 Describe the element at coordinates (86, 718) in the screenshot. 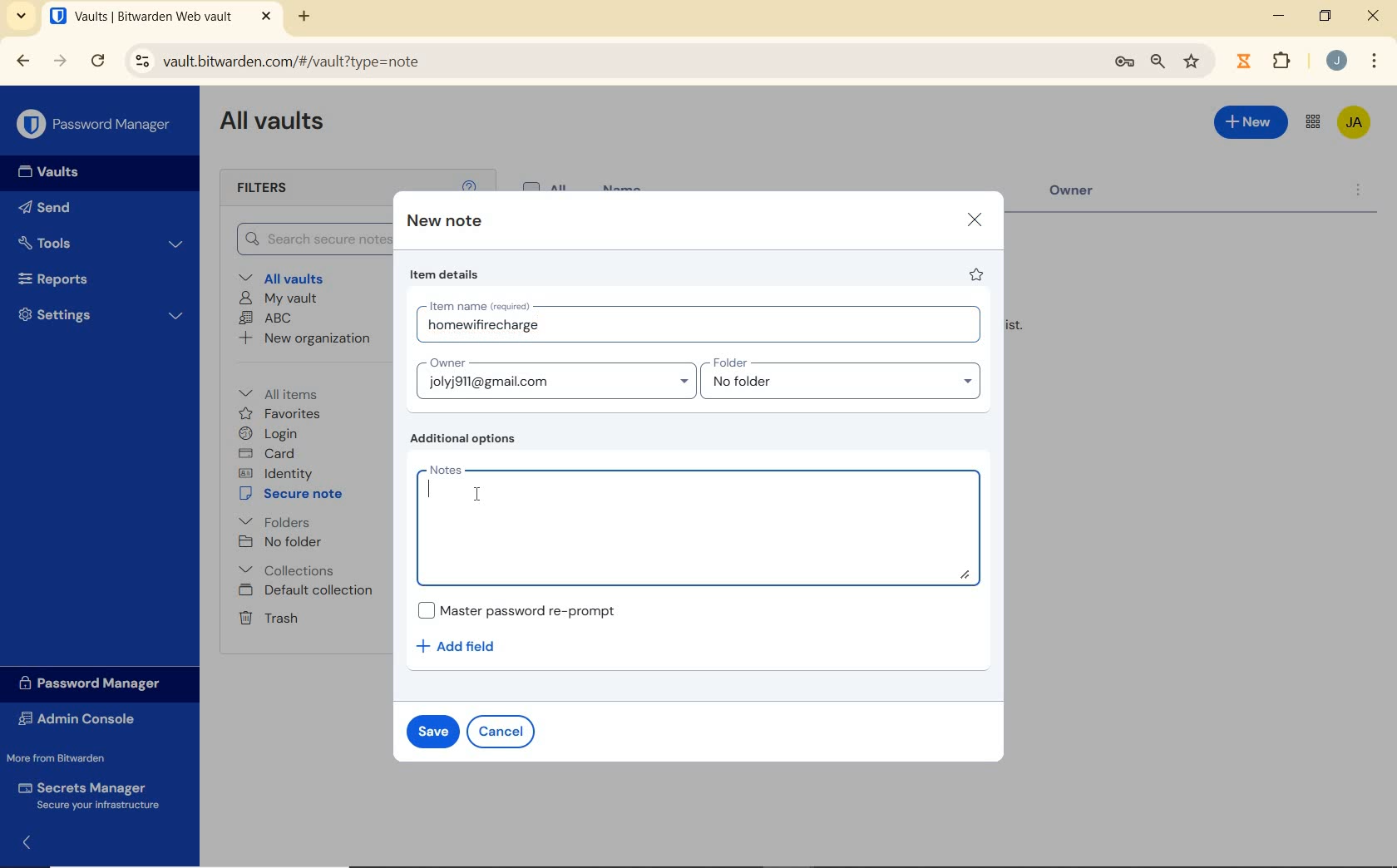

I see `Admin Console` at that location.